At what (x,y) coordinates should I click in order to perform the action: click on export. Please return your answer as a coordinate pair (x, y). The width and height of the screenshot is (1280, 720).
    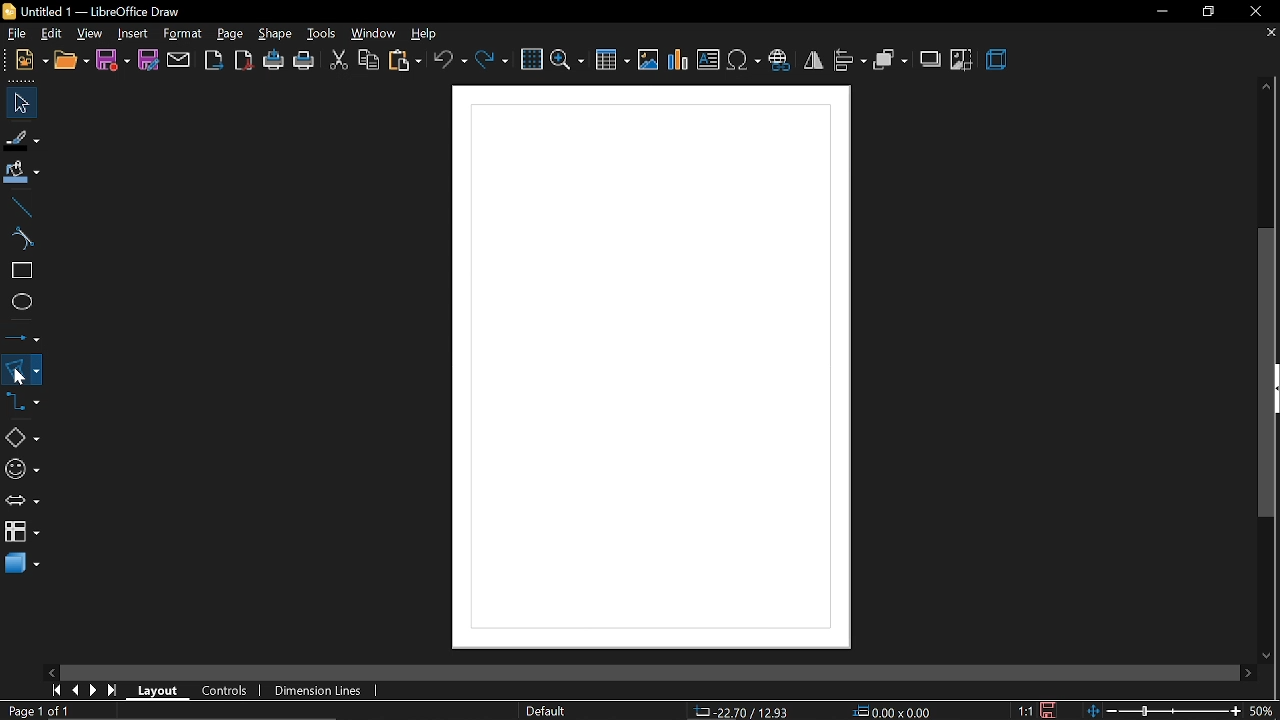
    Looking at the image, I should click on (213, 59).